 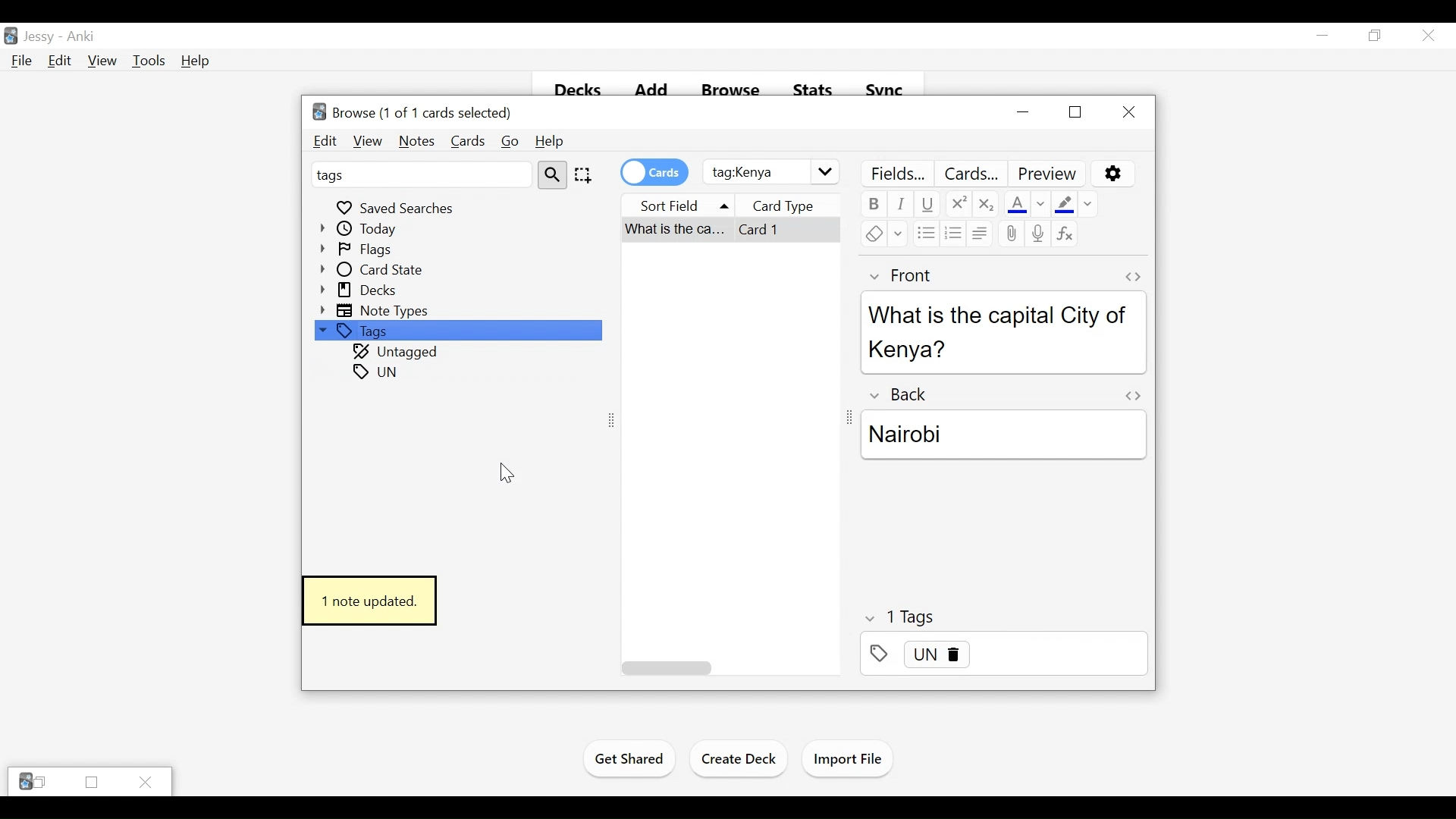 I want to click on Cards, so click(x=466, y=142).